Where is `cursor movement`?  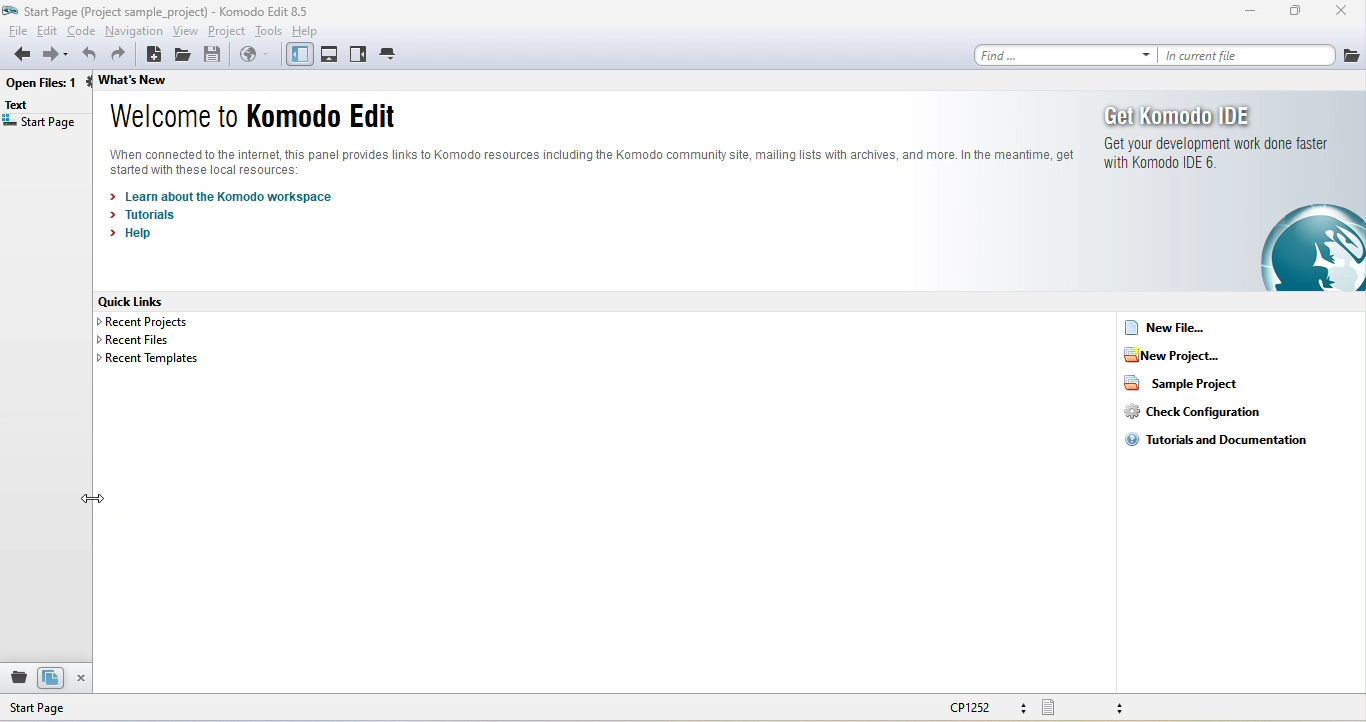 cursor movement is located at coordinates (100, 499).